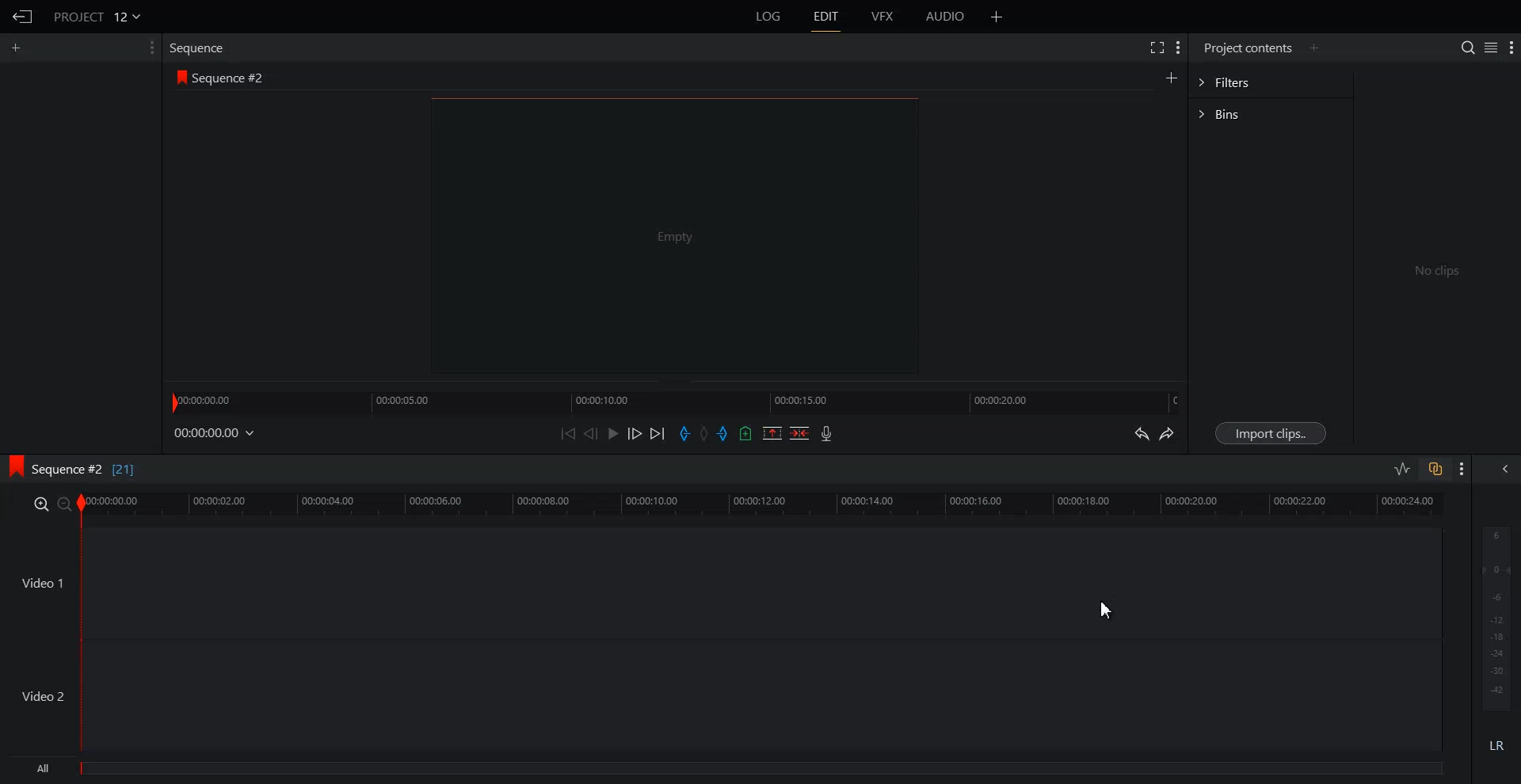 This screenshot has height=784, width=1521. Describe the element at coordinates (1488, 48) in the screenshot. I see `Toggle between list and tile view` at that location.